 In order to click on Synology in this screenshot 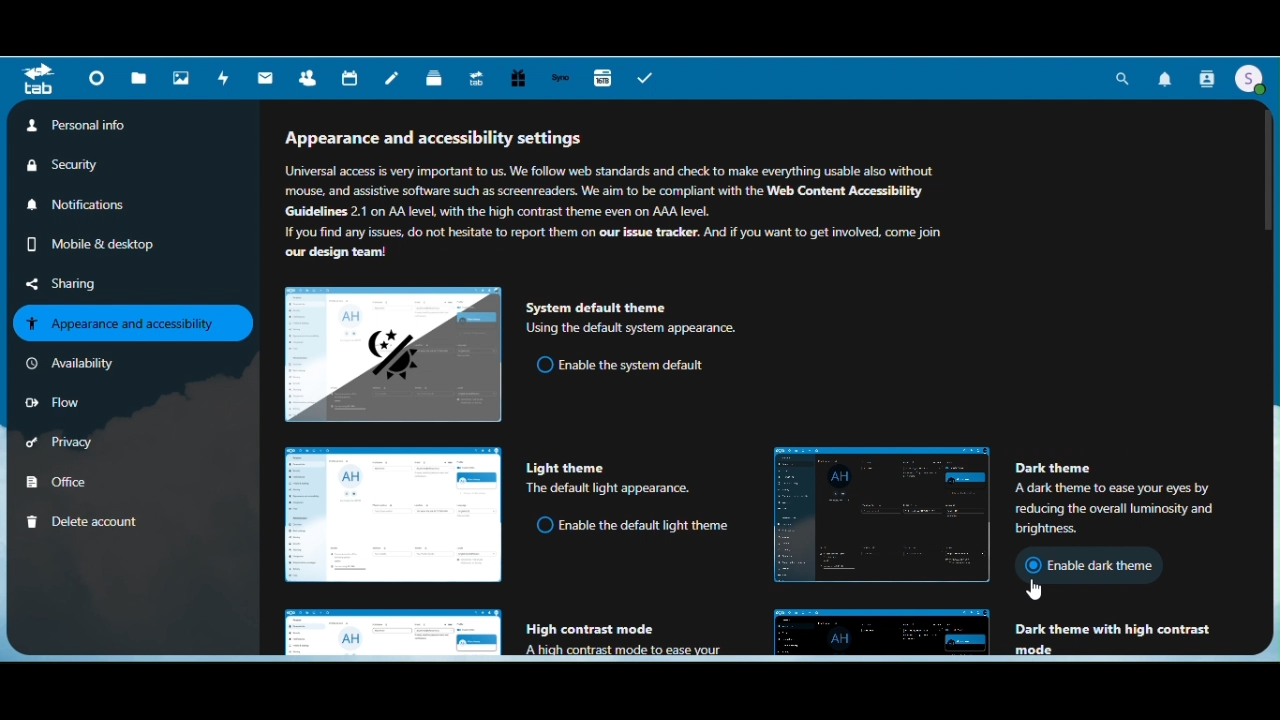, I will do `click(563, 79)`.